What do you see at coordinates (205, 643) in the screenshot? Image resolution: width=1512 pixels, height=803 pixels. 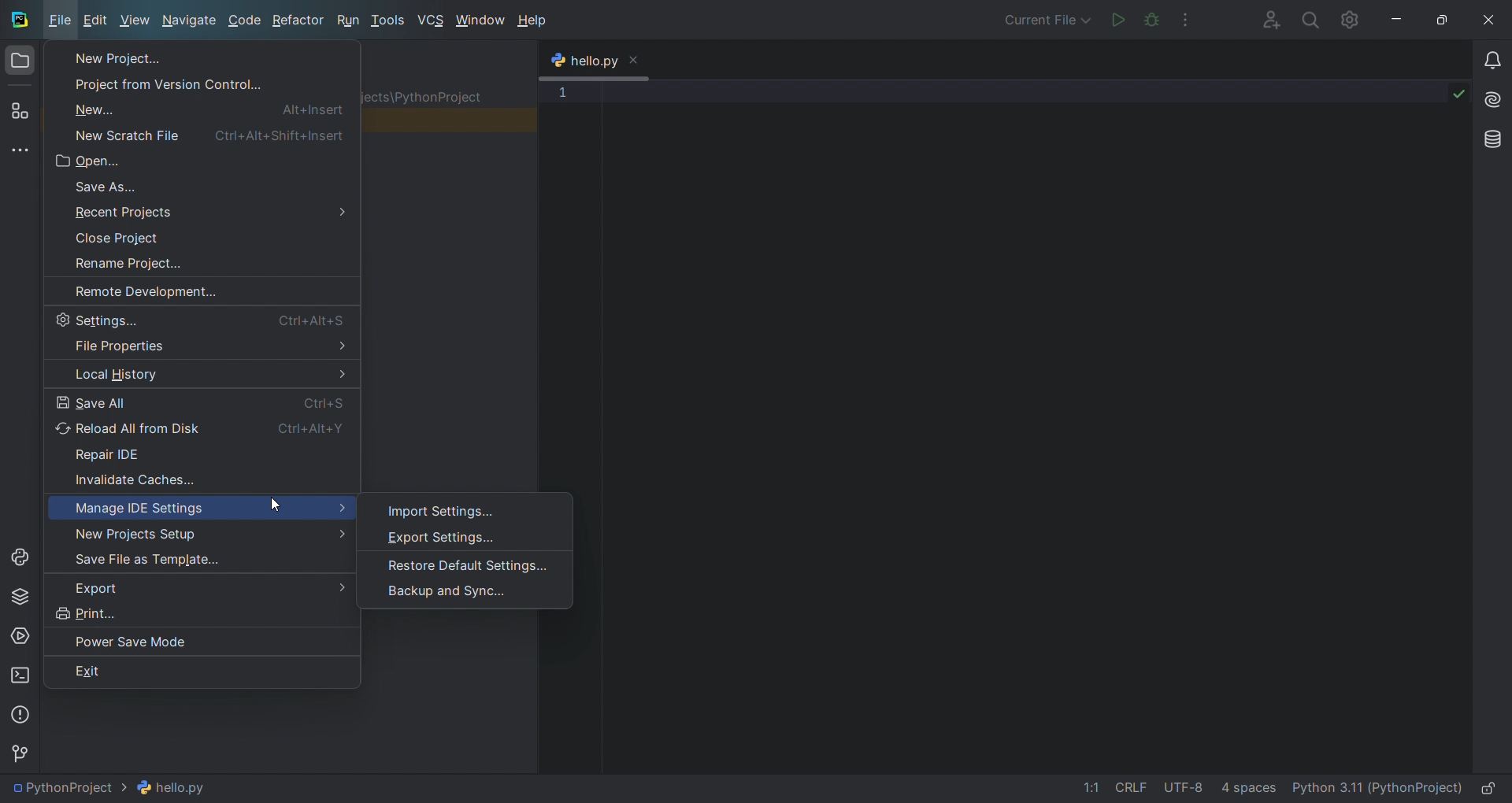 I see `power save mode` at bounding box center [205, 643].